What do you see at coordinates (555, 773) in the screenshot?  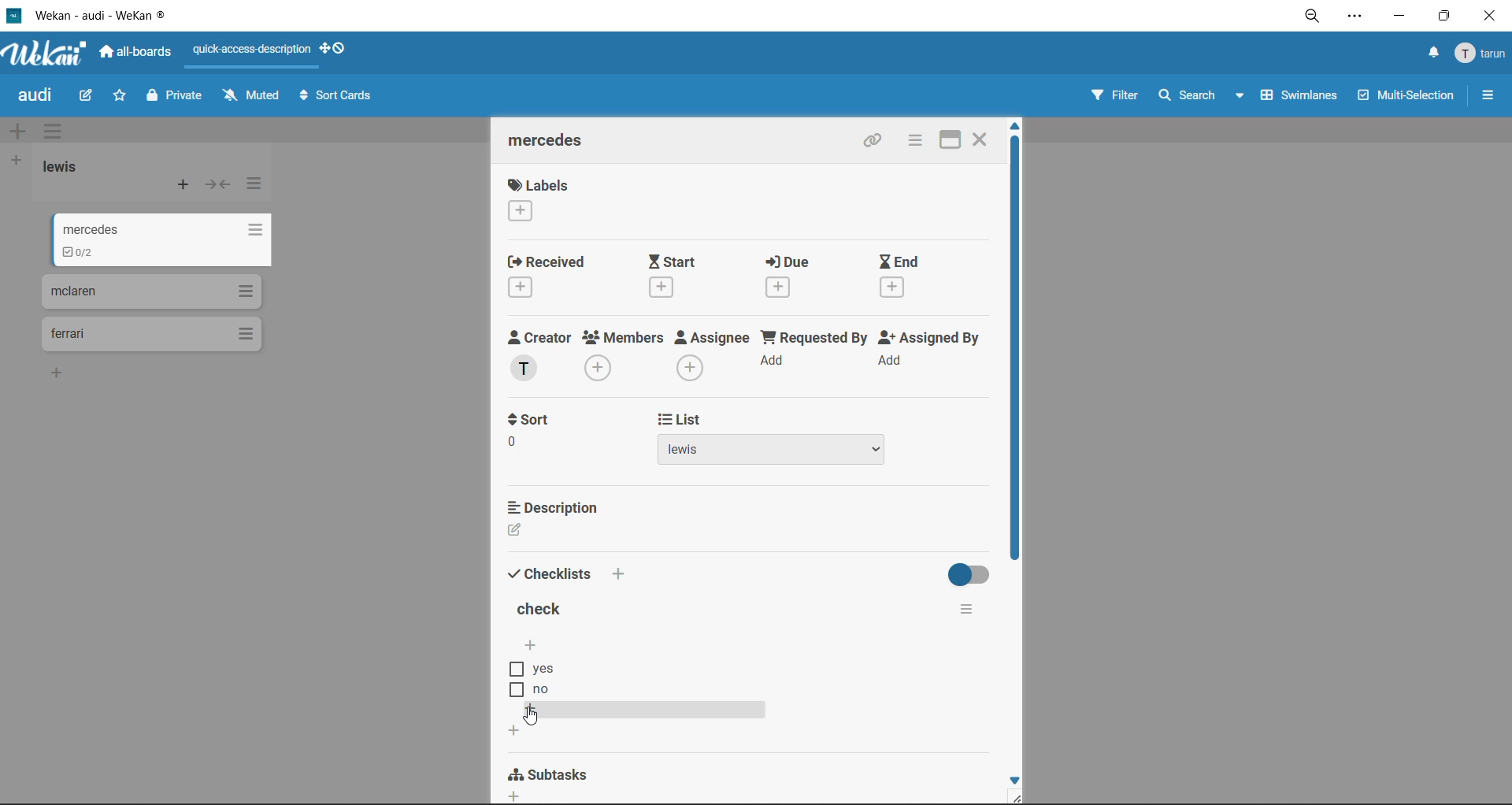 I see `subtasks` at bounding box center [555, 773].